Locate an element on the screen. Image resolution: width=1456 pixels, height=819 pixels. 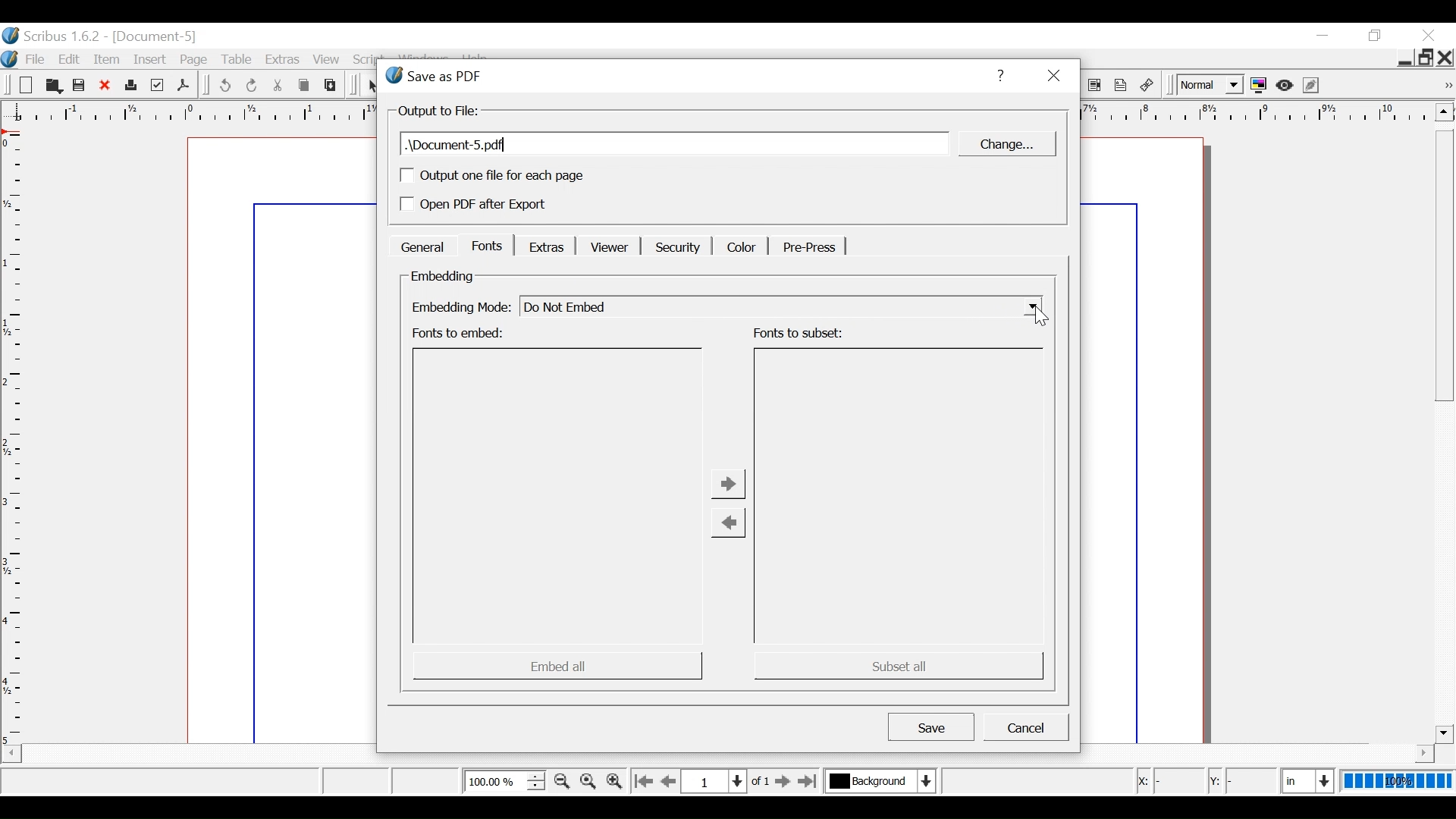
horizontal bar is located at coordinates (1404, 753).